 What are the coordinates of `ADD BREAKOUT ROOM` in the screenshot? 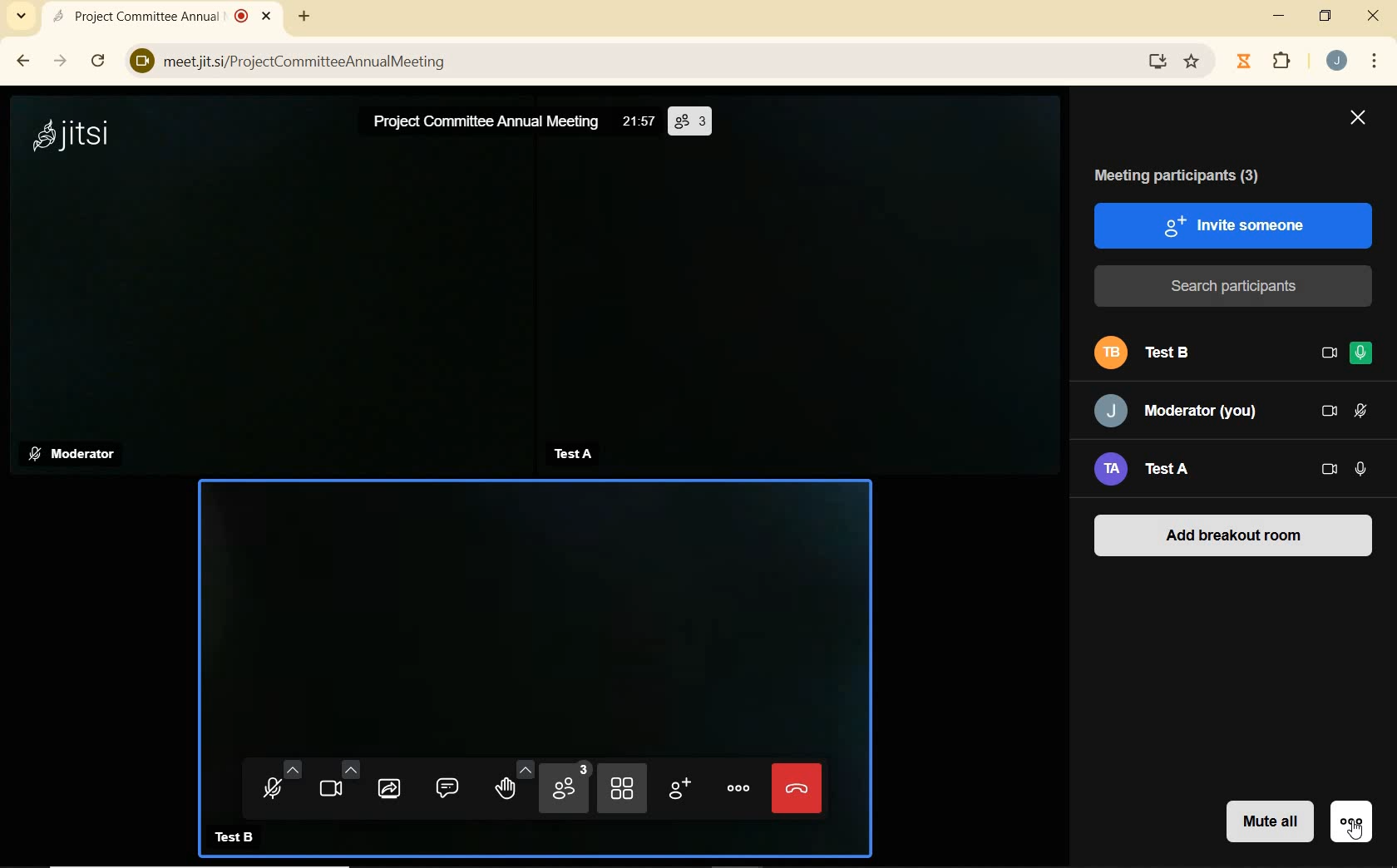 It's located at (1235, 534).